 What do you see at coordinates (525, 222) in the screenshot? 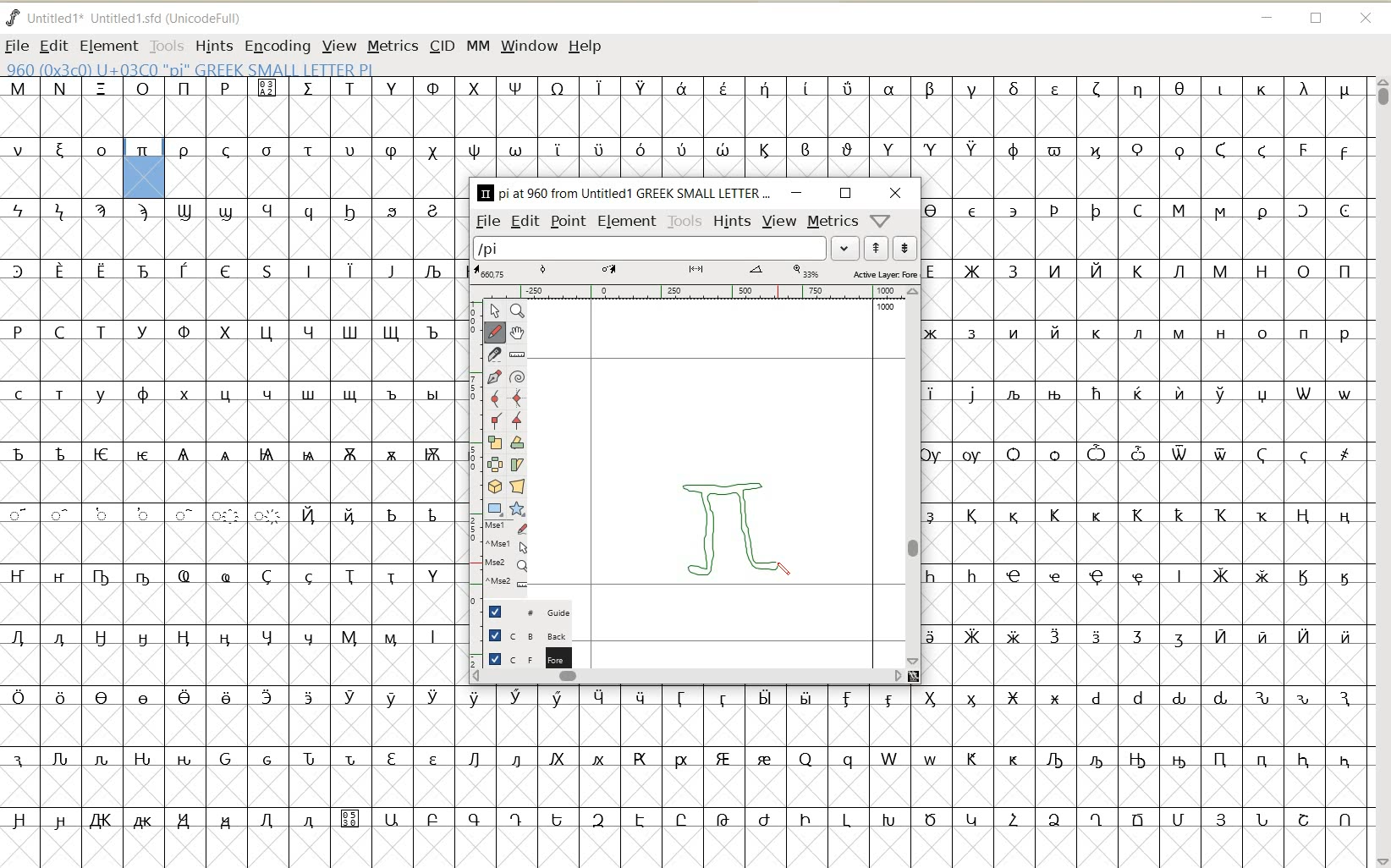
I see `EDIT` at bounding box center [525, 222].